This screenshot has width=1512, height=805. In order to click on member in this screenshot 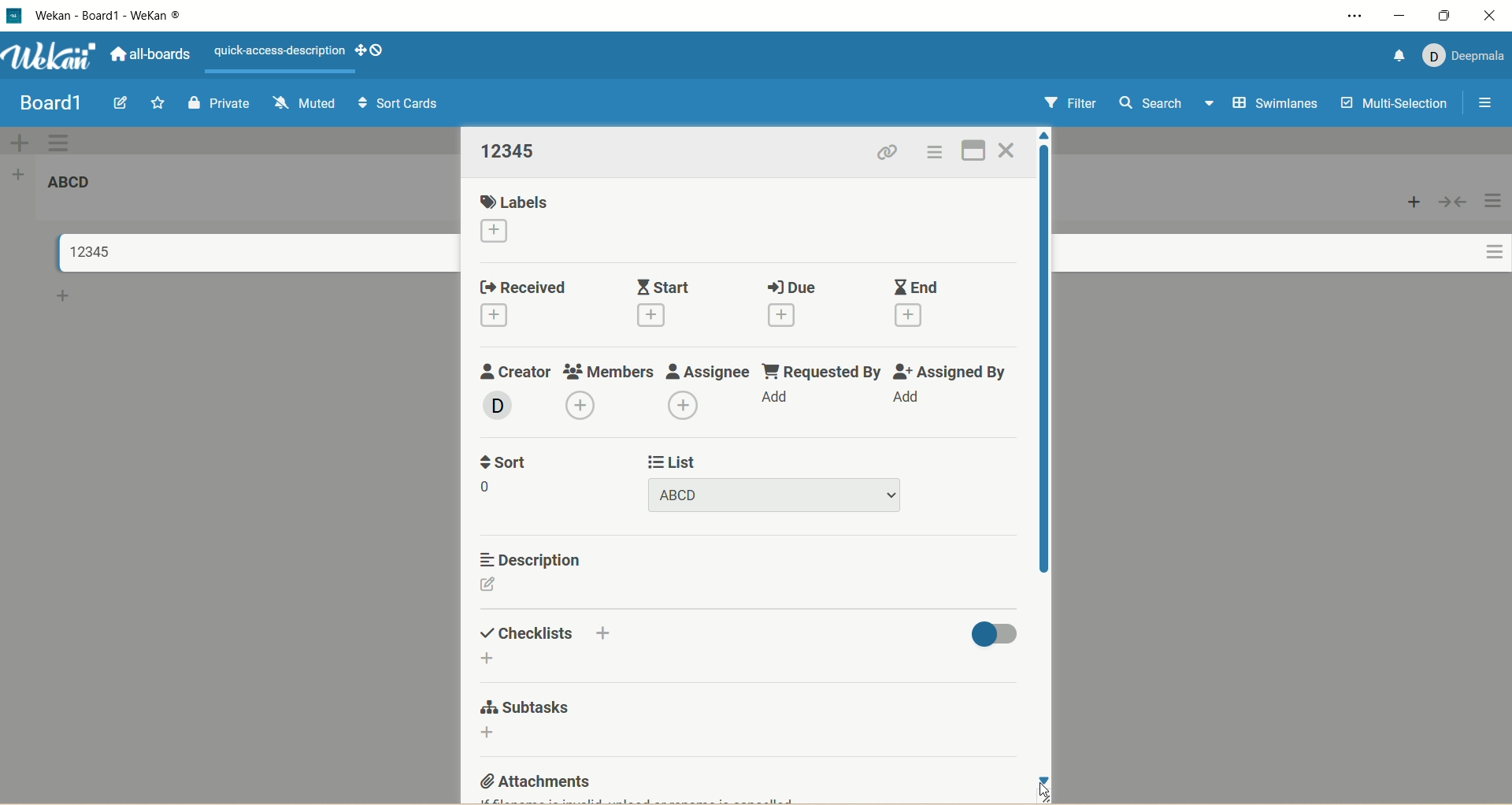, I will do `click(495, 404)`.